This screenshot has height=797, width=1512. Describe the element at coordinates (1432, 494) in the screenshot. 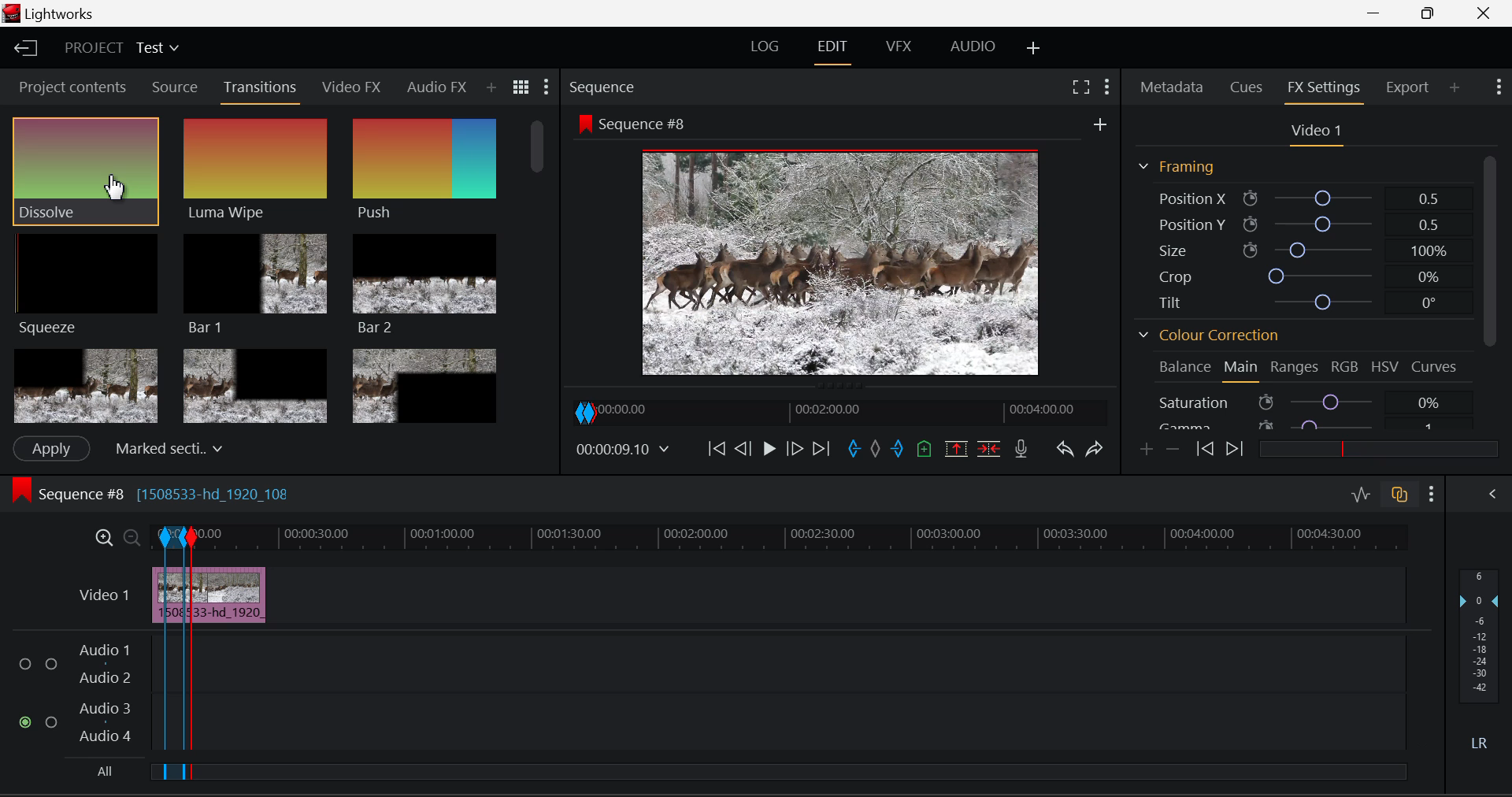

I see `Show Settings` at that location.